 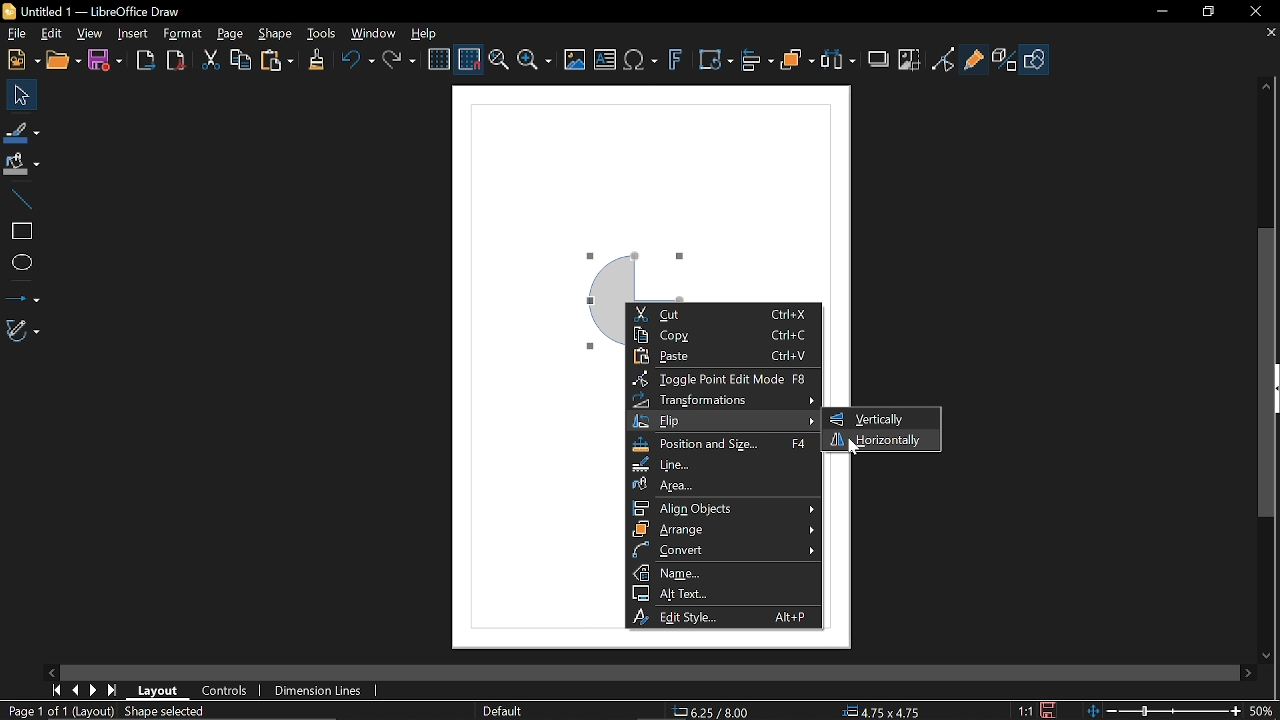 What do you see at coordinates (723, 465) in the screenshot?
I see `Line` at bounding box center [723, 465].